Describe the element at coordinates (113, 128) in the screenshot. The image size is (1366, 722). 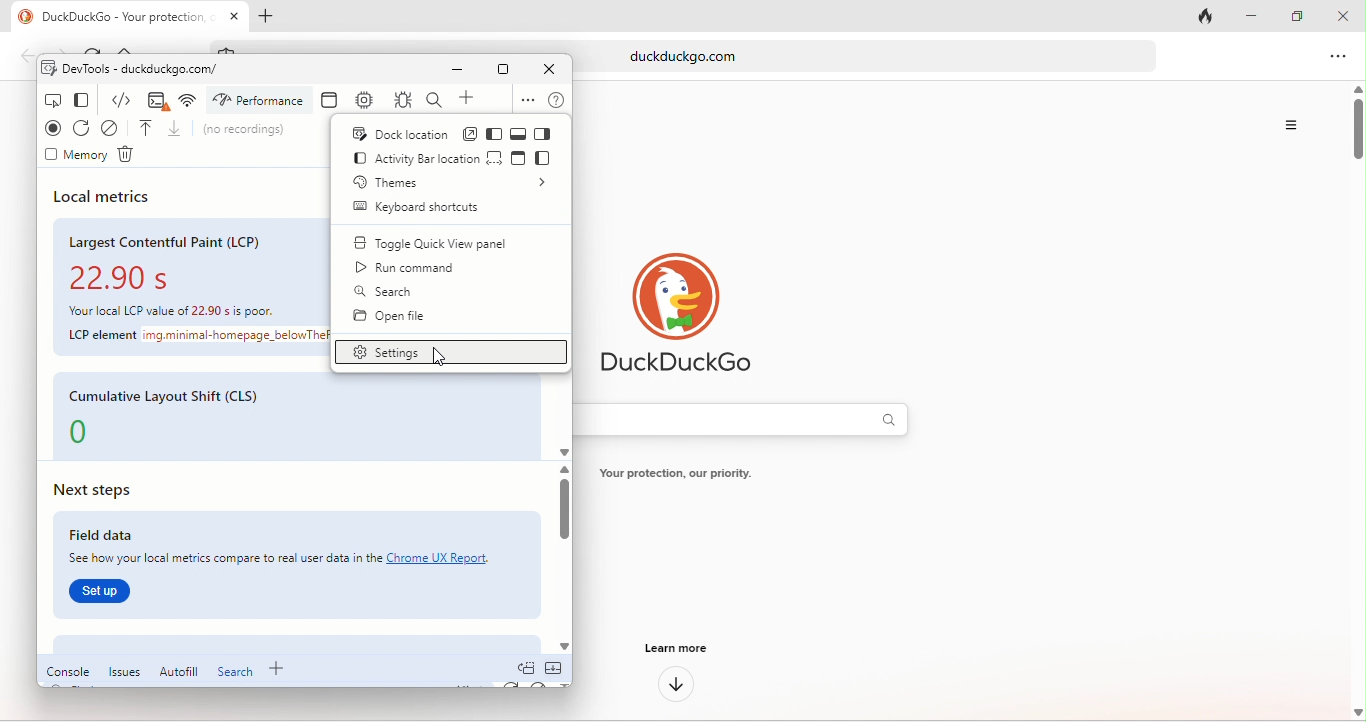
I see `clear` at that location.